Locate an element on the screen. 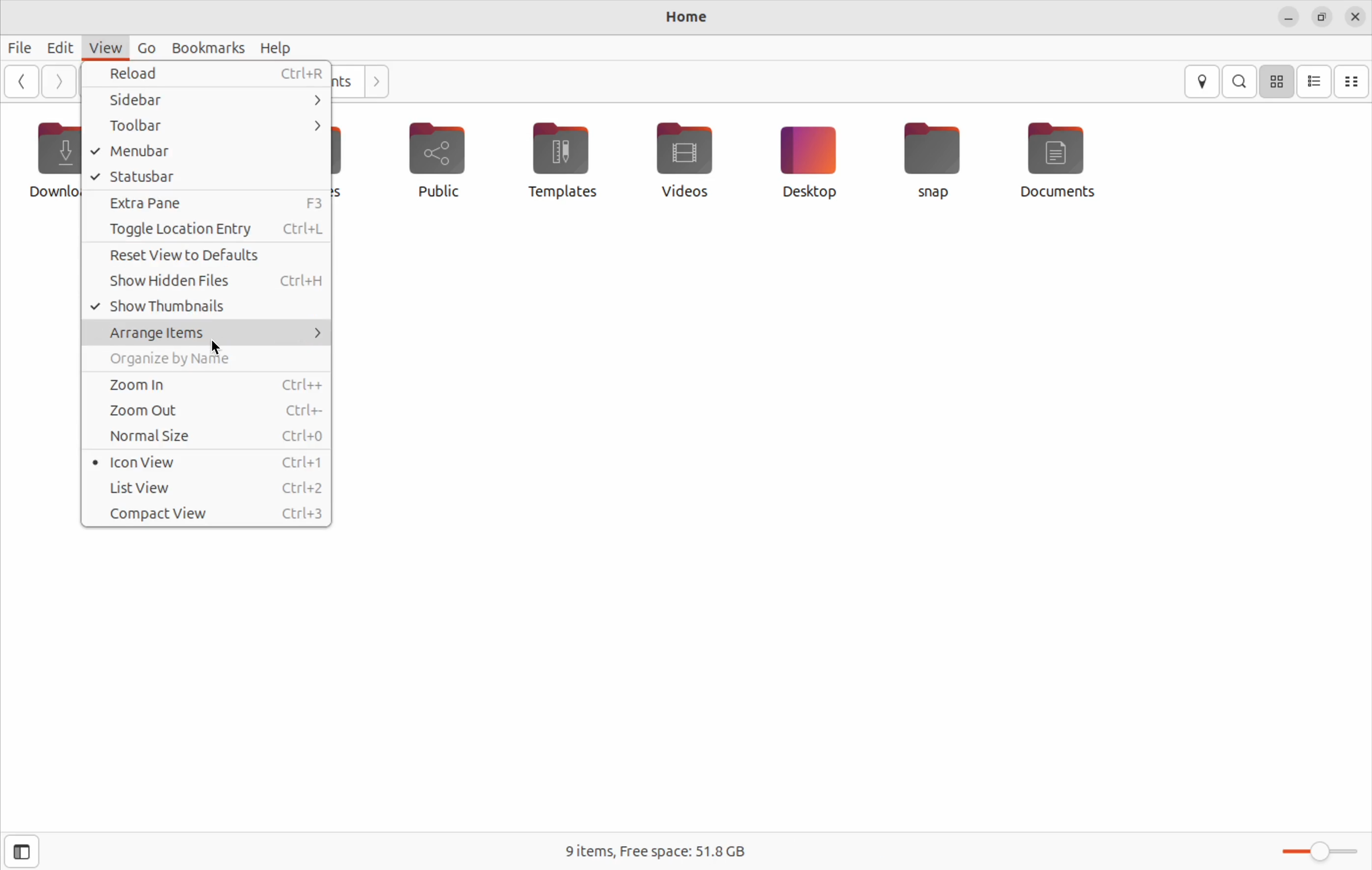 The width and height of the screenshot is (1372, 870). Snap is located at coordinates (934, 160).